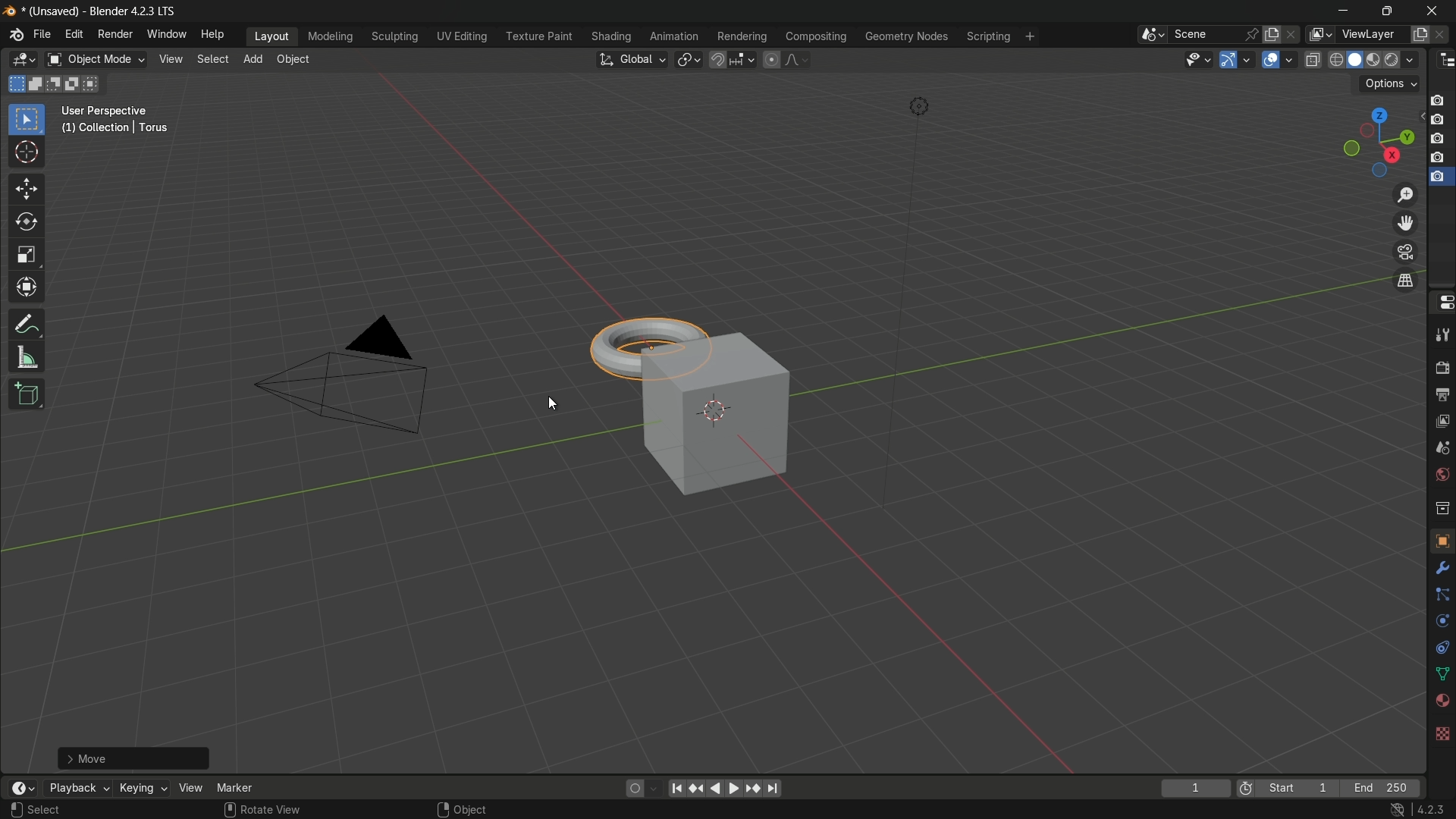  Describe the element at coordinates (1447, 61) in the screenshot. I see `outliner` at that location.